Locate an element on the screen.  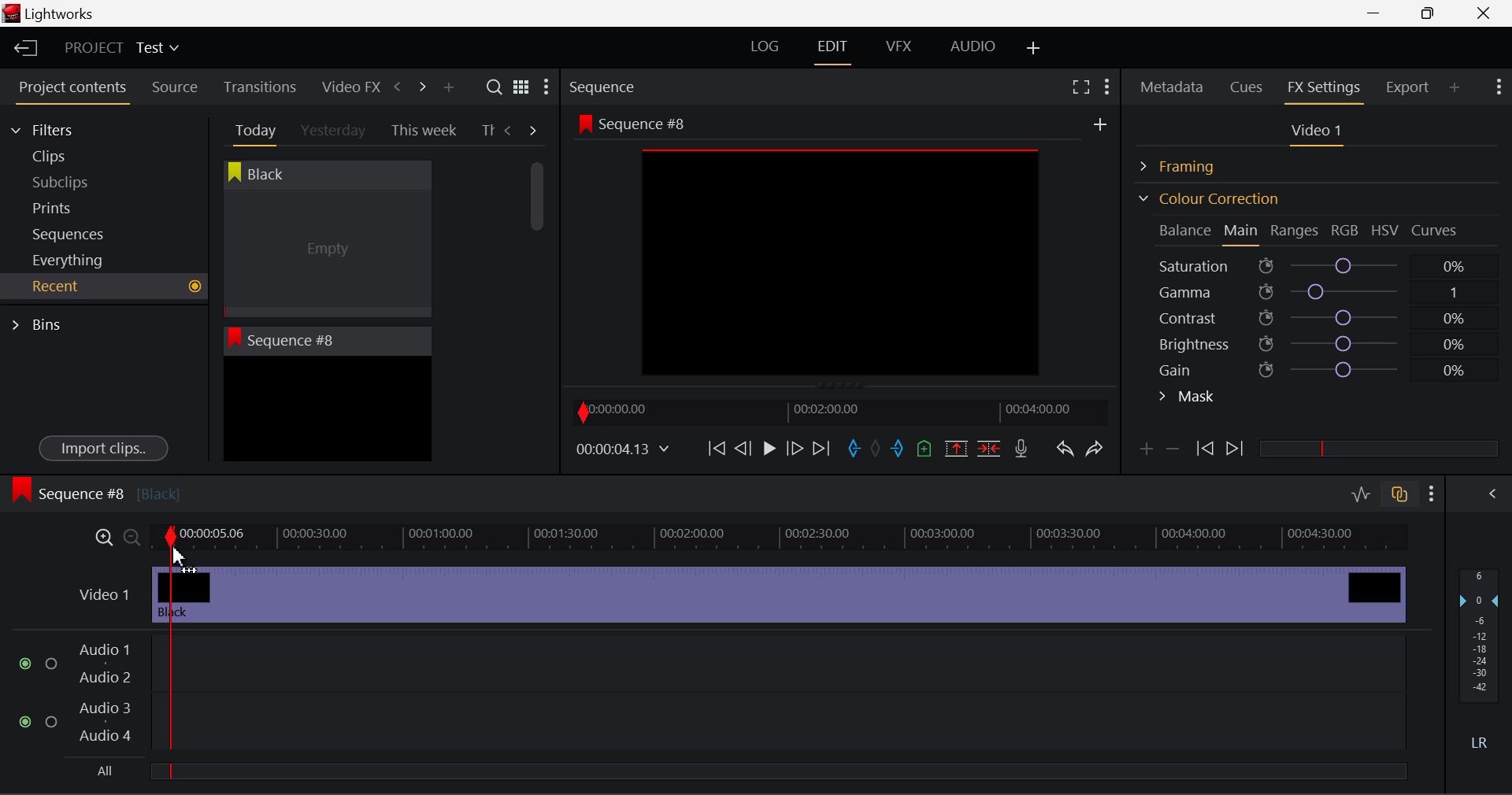
Add Panel is located at coordinates (1455, 87).